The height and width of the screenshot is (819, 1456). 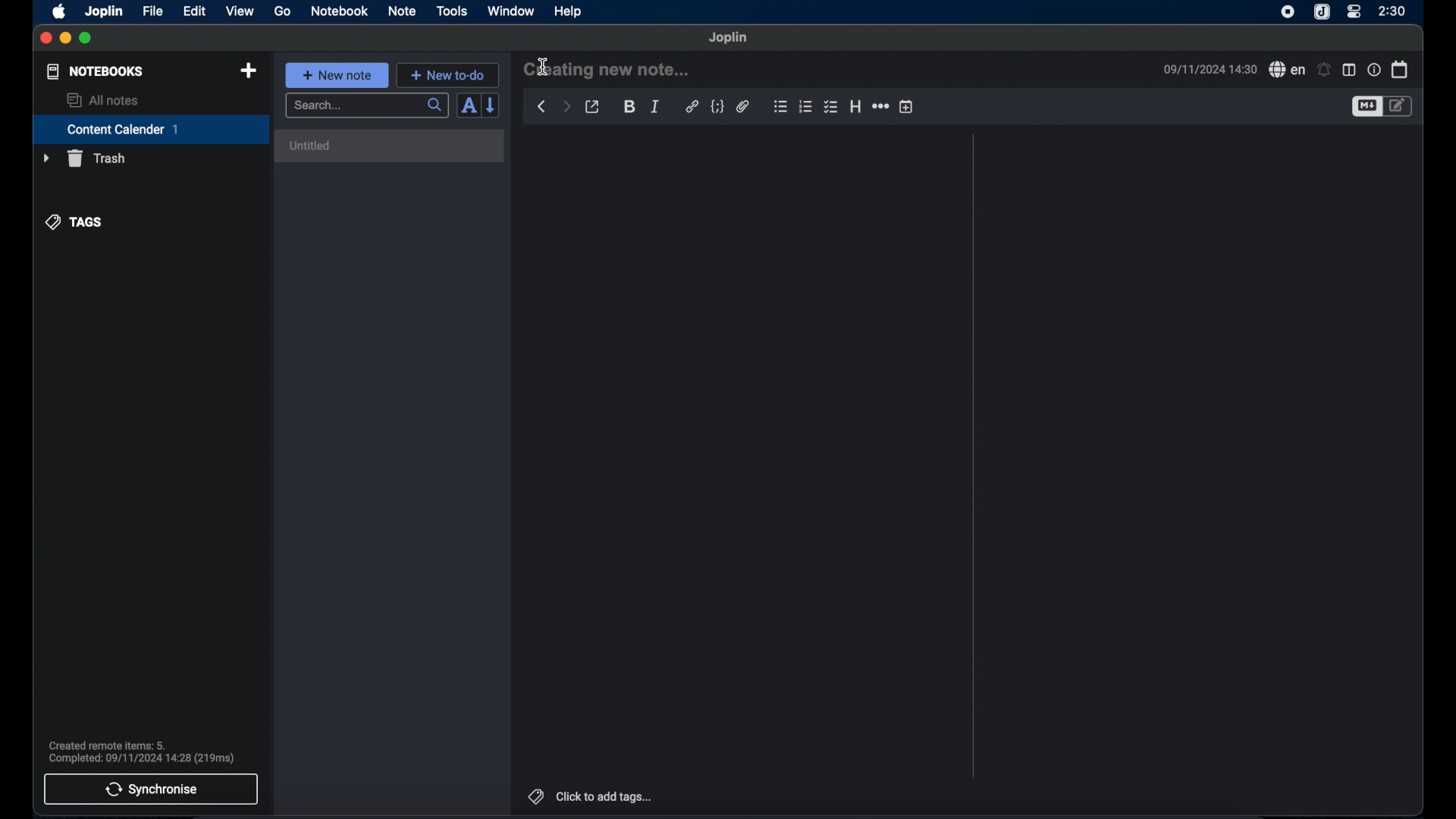 I want to click on 09/11/2024(date and time), so click(x=1210, y=69).